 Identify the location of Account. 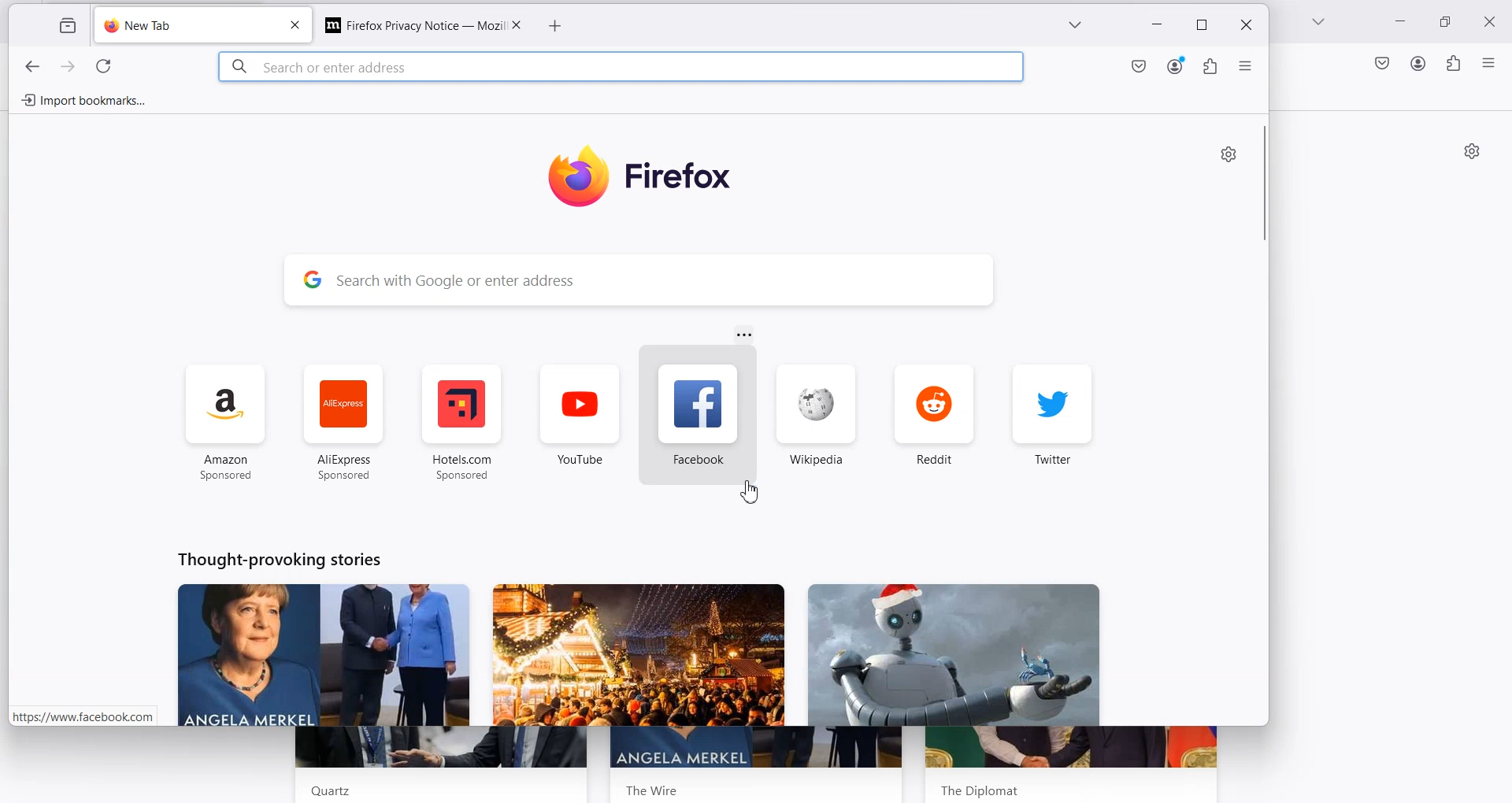
(1418, 63).